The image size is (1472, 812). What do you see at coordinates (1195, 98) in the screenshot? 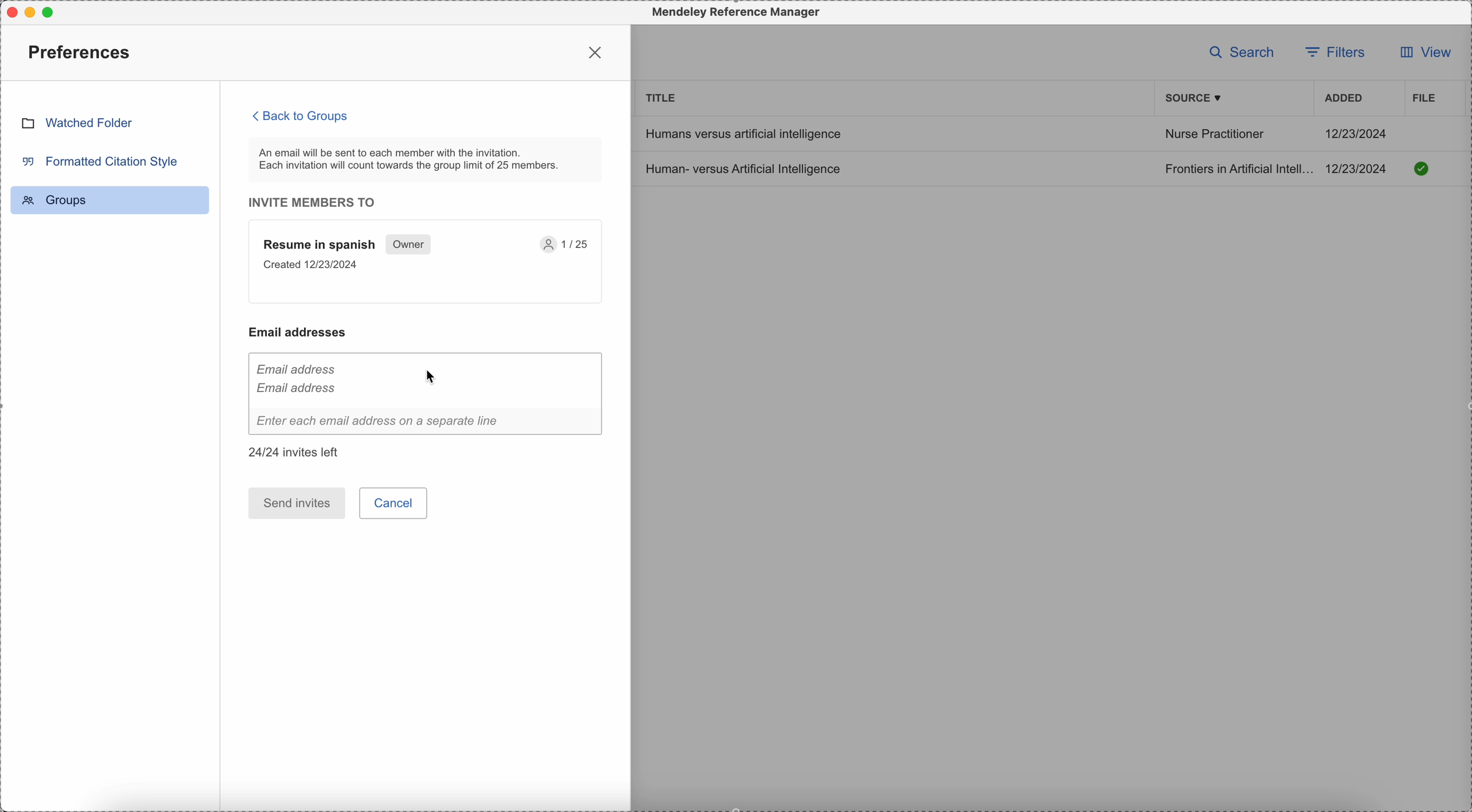
I see `source` at bounding box center [1195, 98].